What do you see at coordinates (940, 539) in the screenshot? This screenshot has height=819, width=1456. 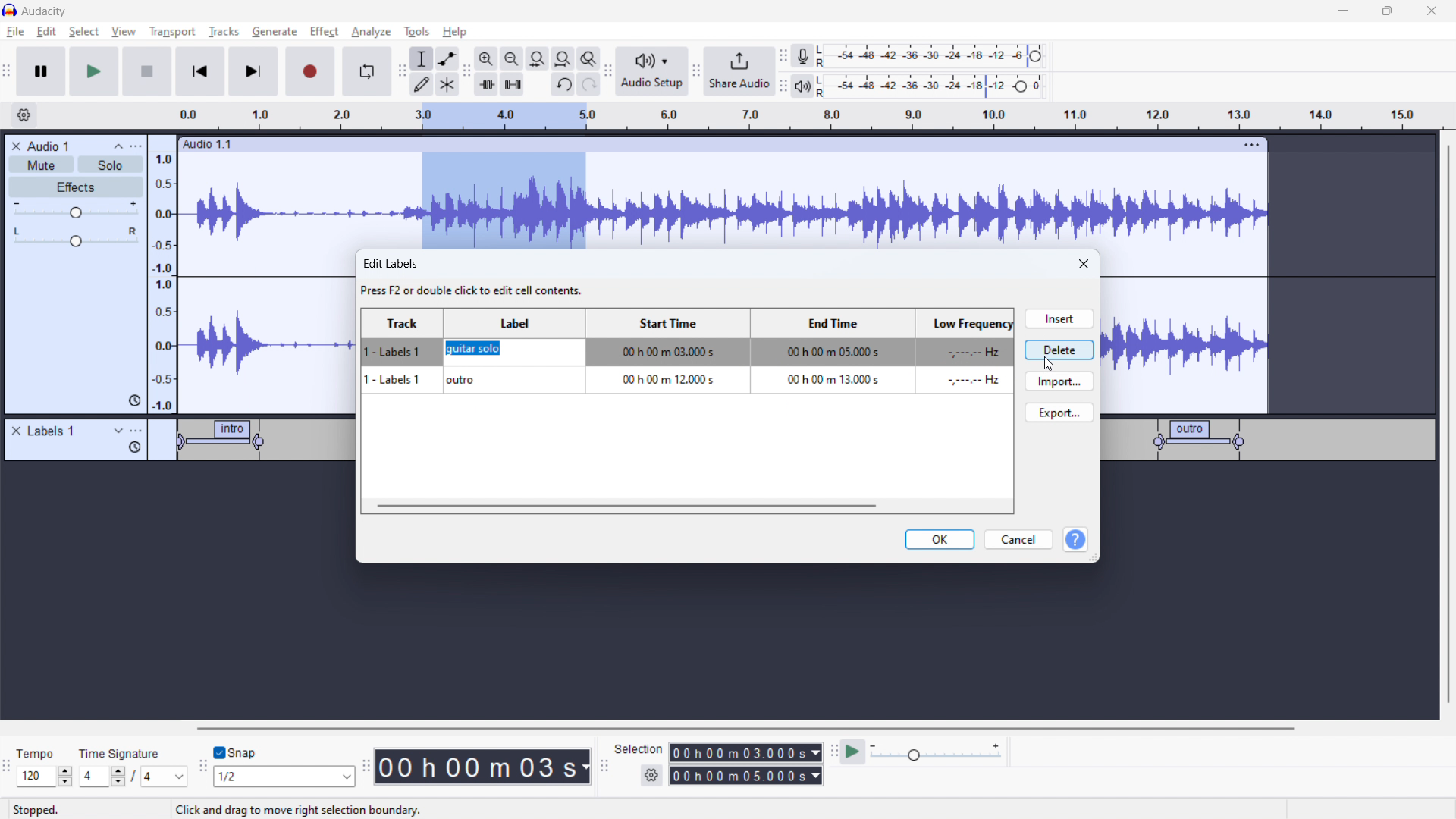 I see `ok` at bounding box center [940, 539].